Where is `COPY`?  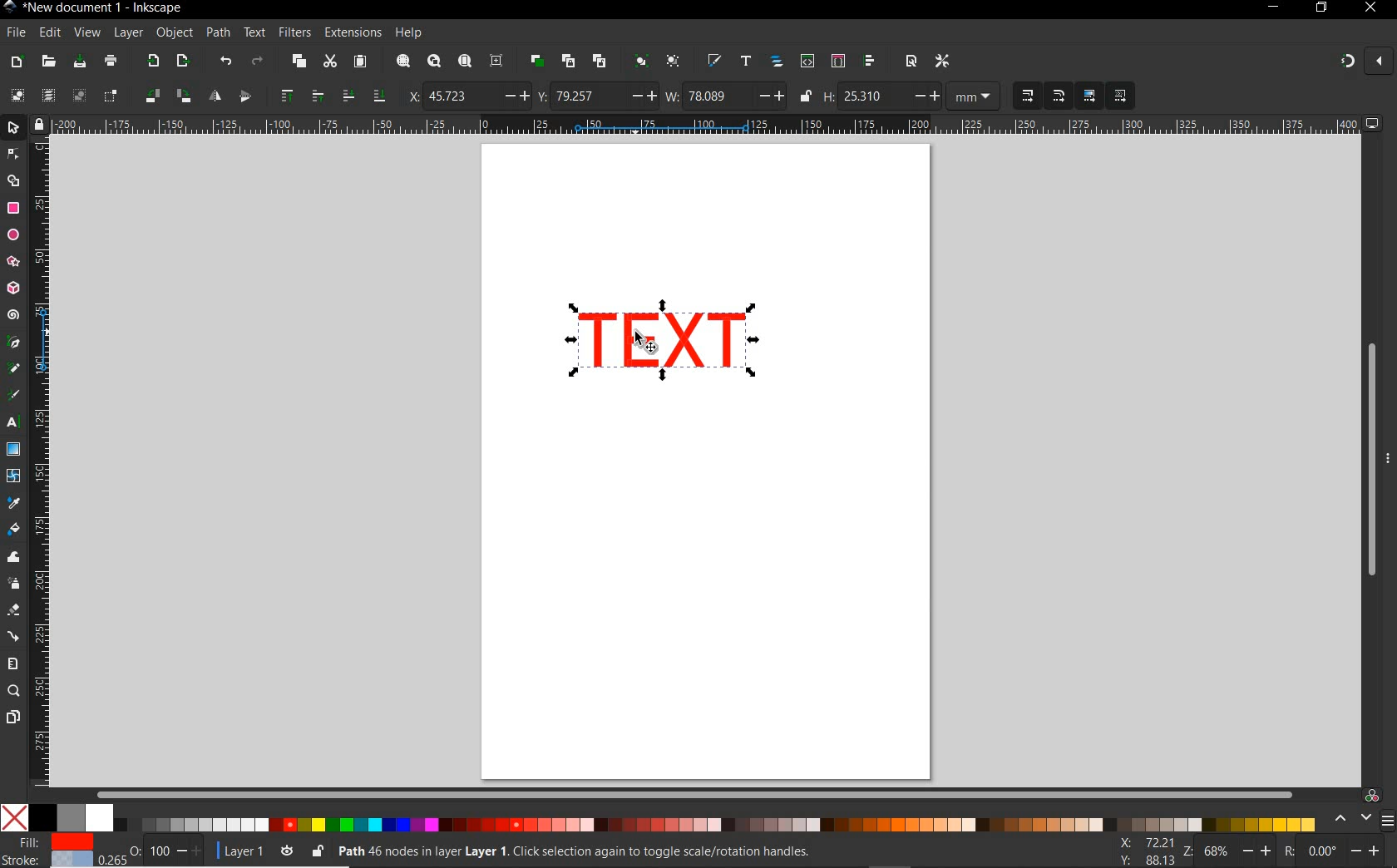 COPY is located at coordinates (299, 62).